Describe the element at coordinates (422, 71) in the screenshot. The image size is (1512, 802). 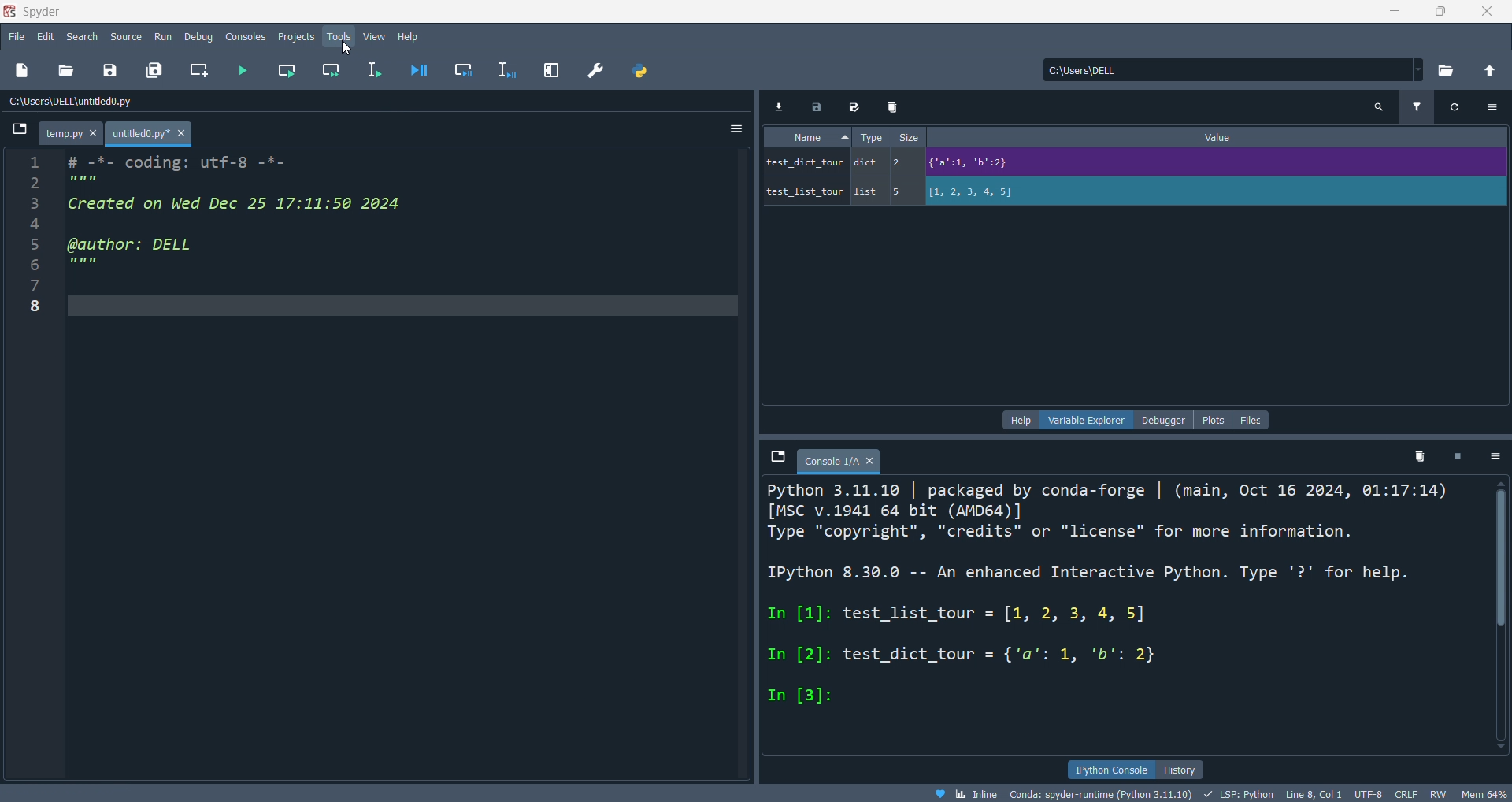
I see `debug file` at that location.